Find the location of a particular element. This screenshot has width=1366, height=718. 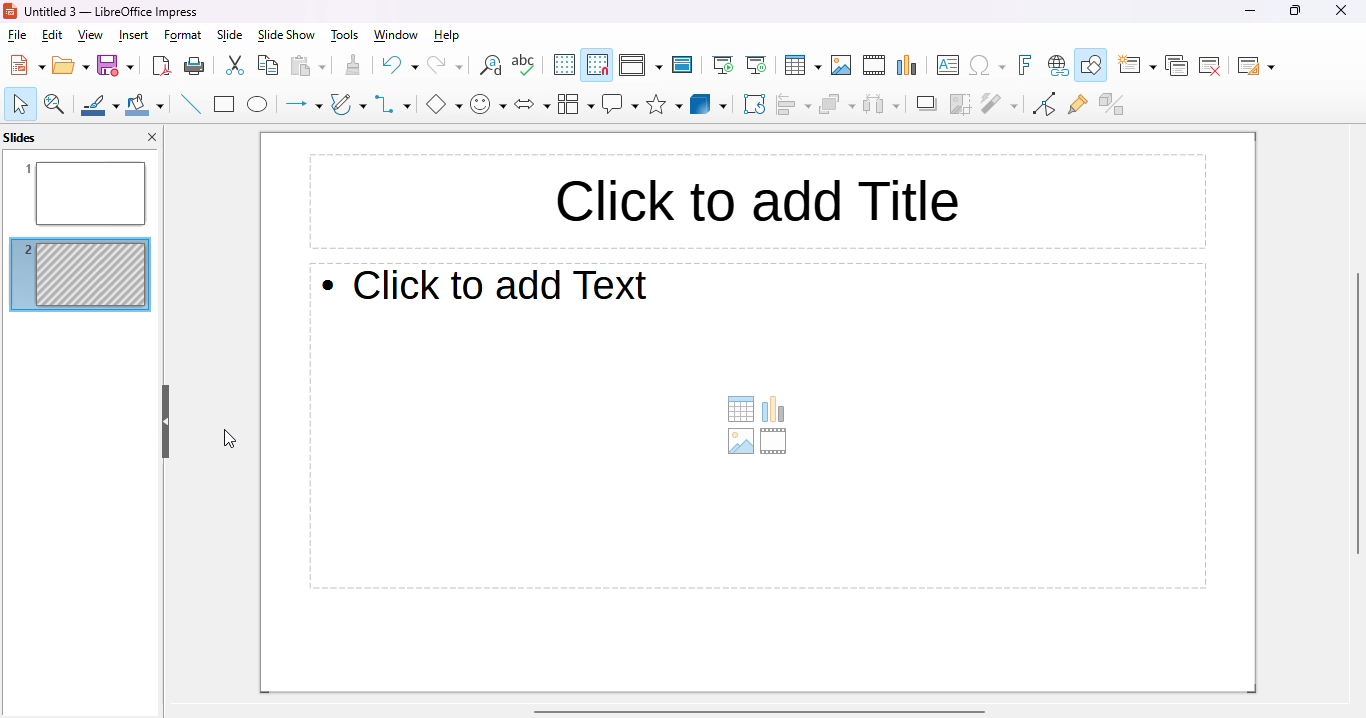

stars and banners is located at coordinates (663, 105).